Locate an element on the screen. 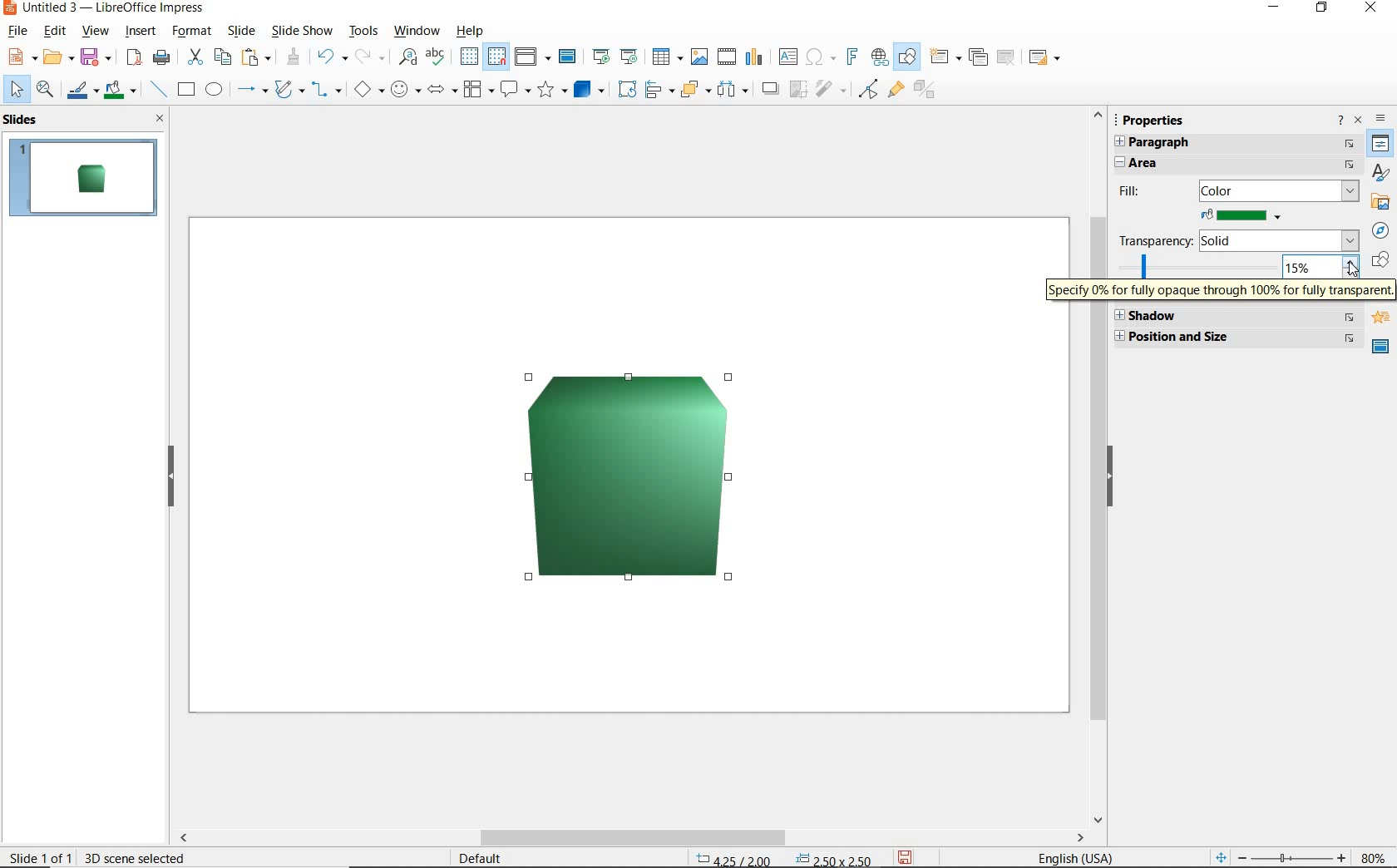  undo is located at coordinates (333, 57).